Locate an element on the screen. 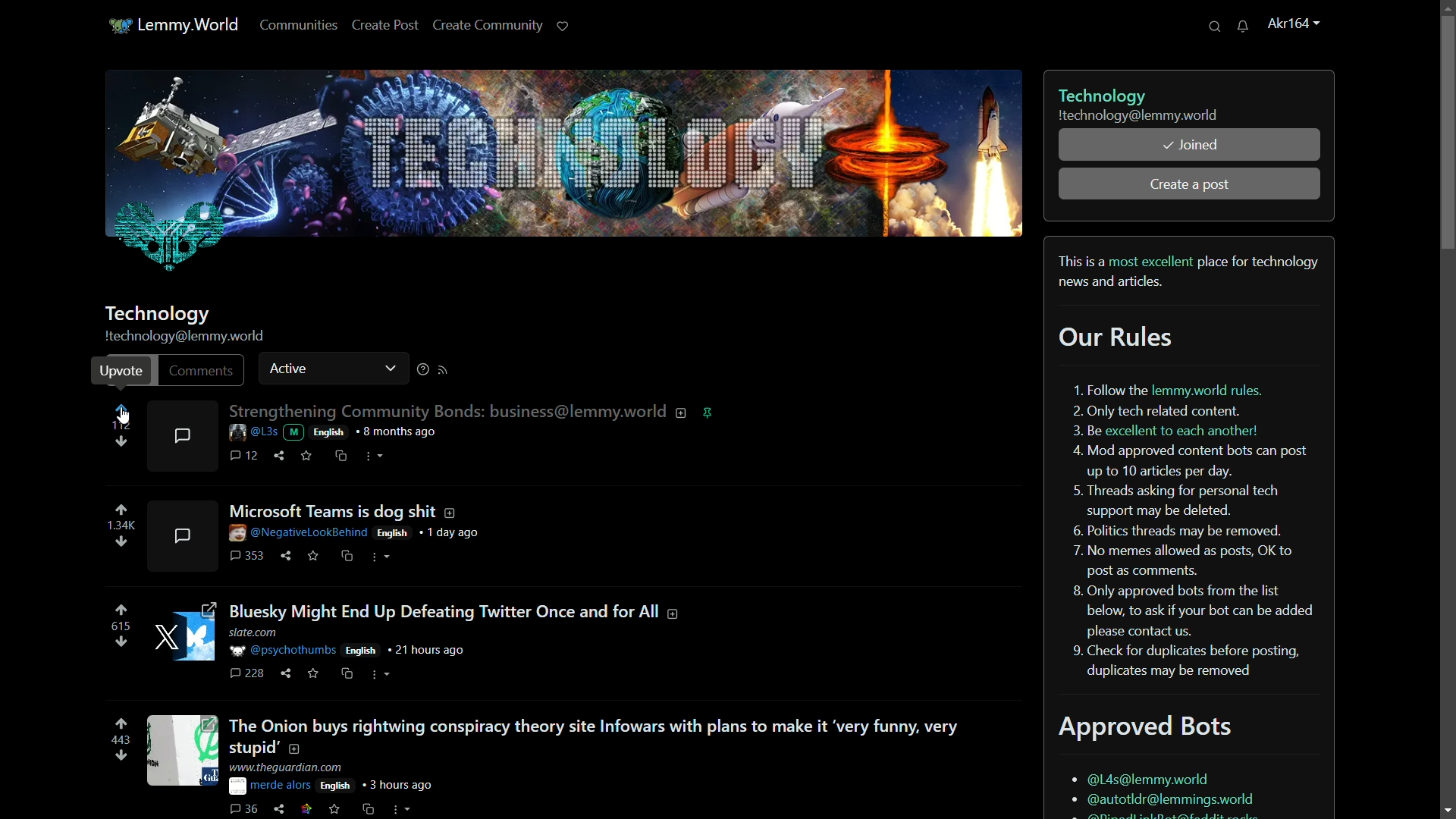 The image size is (1456, 819). hare is located at coordinates (287, 673).